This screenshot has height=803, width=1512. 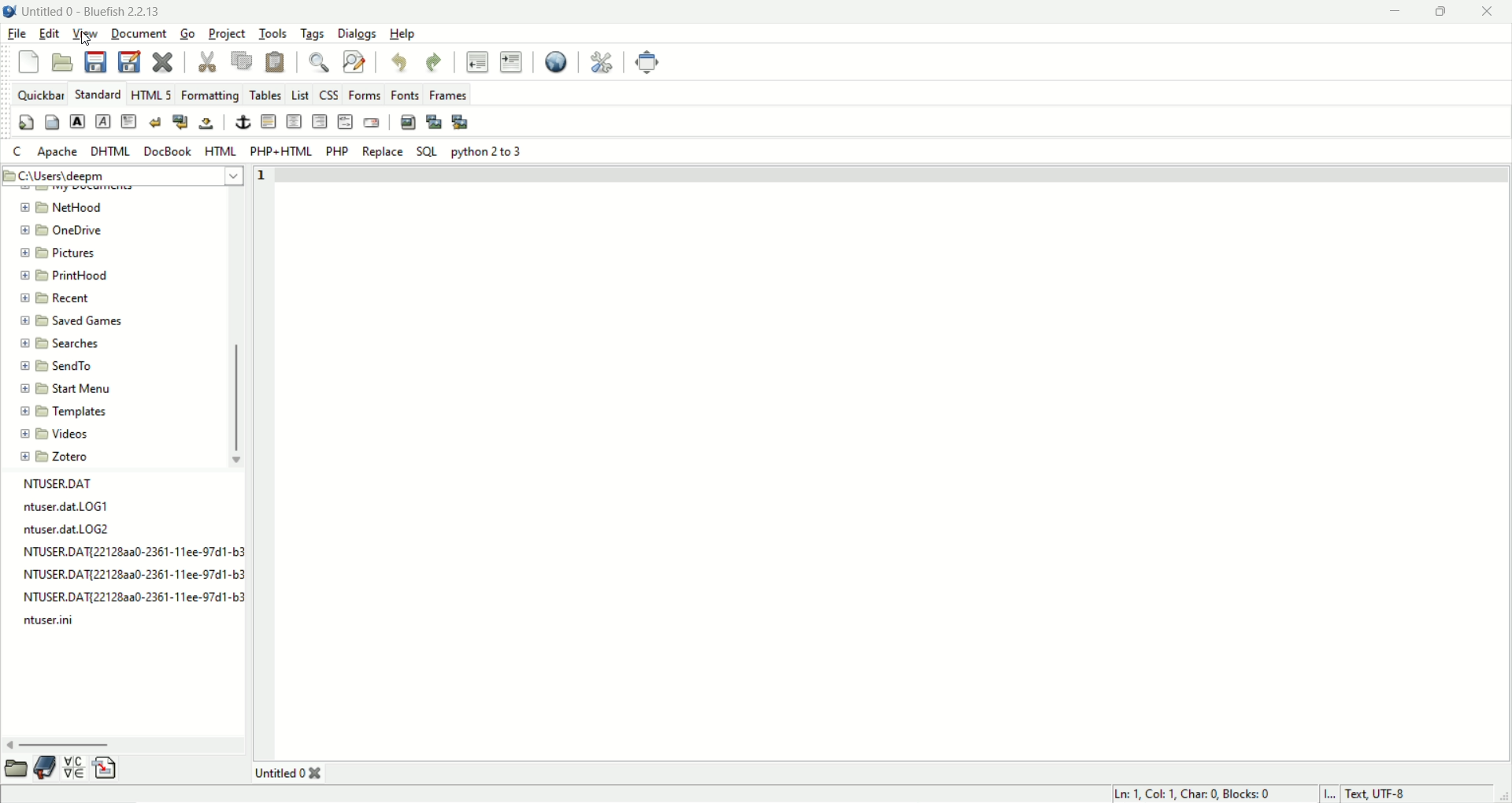 What do you see at coordinates (372, 122) in the screenshot?
I see `email` at bounding box center [372, 122].